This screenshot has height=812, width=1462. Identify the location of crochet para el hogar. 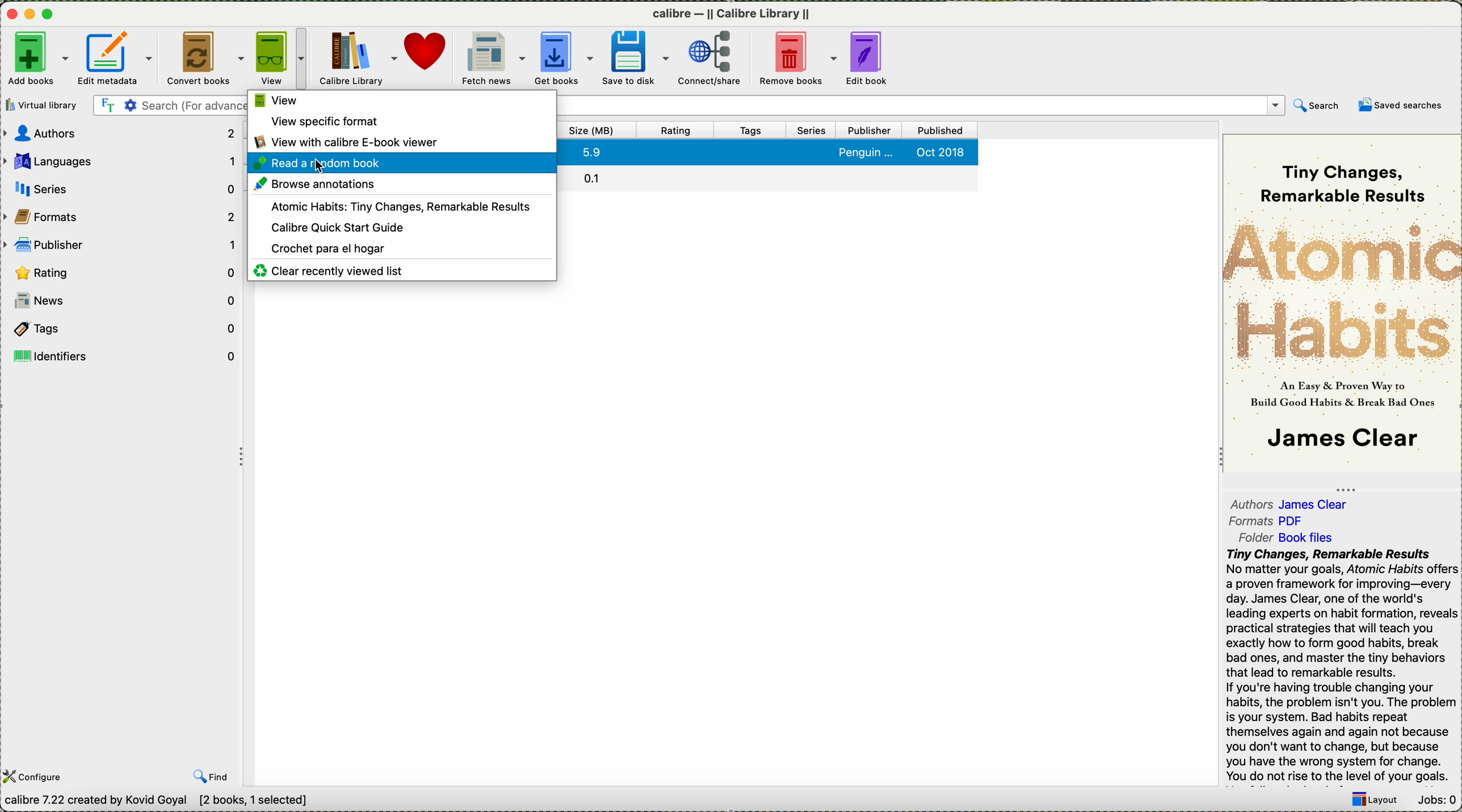
(333, 249).